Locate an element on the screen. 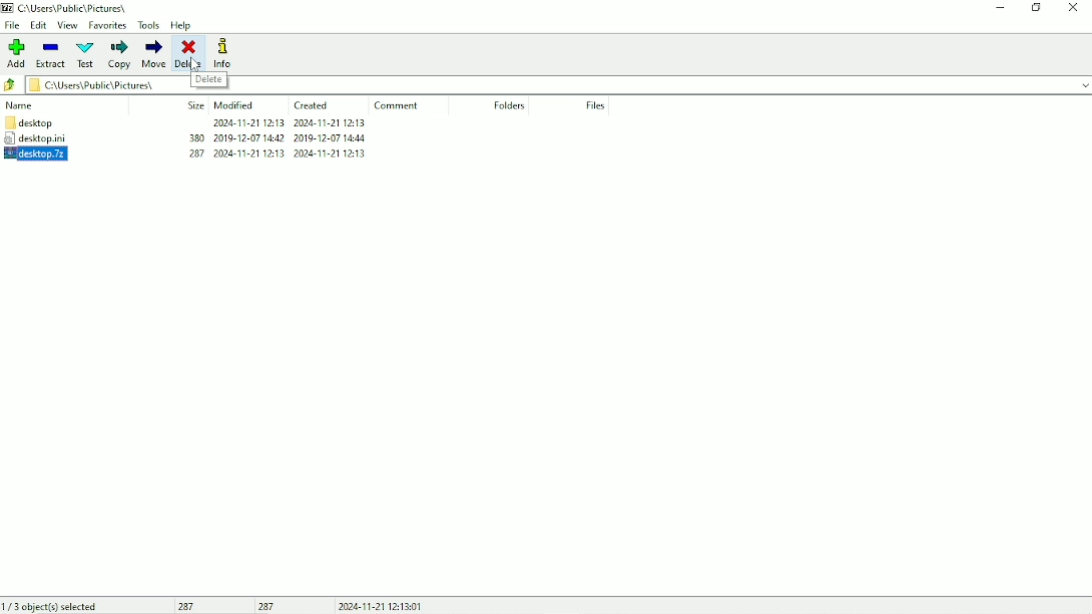 This screenshot has width=1092, height=614. c/Users\Publc\ Pictures is located at coordinates (79, 8).